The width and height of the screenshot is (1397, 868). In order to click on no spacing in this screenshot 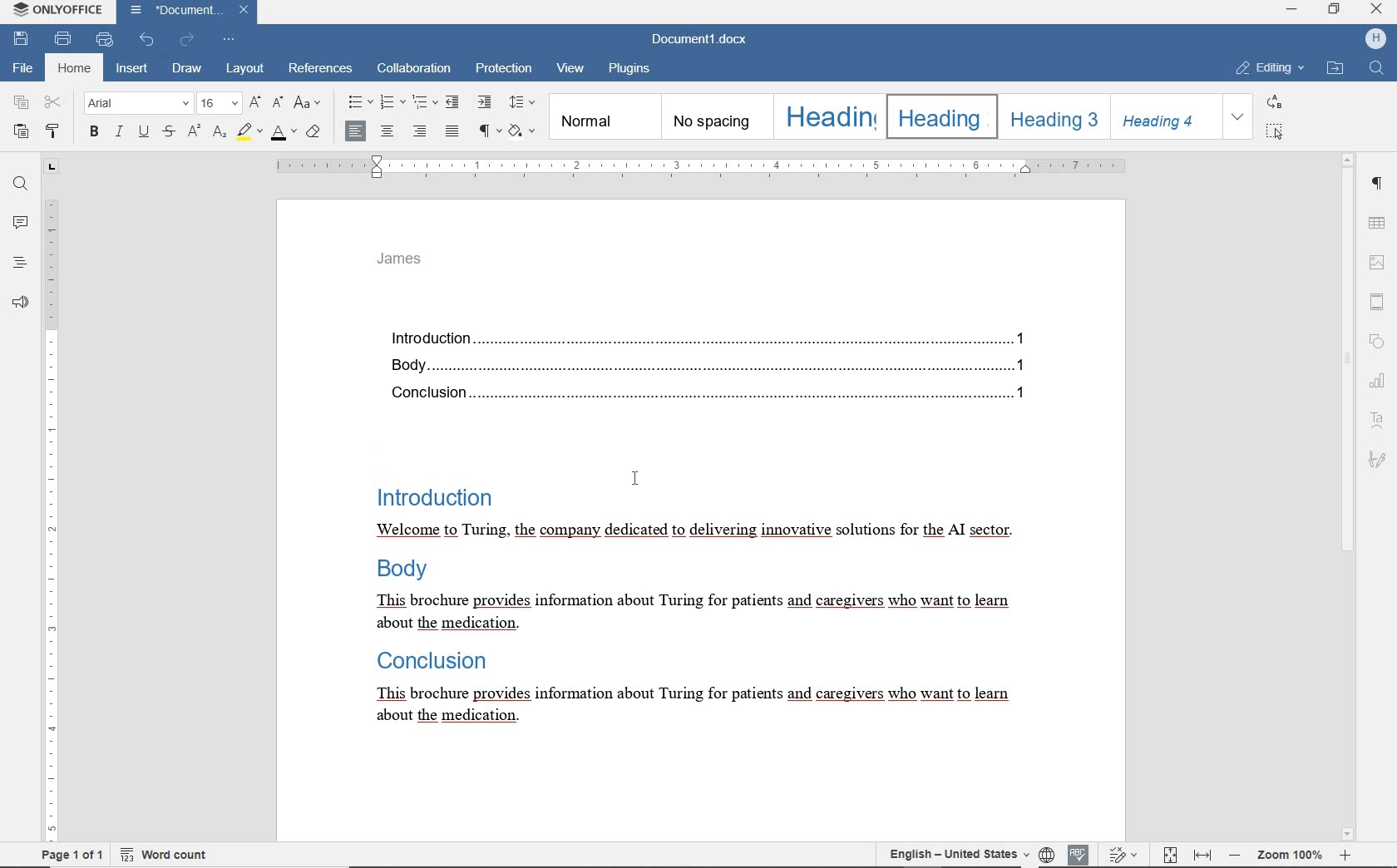, I will do `click(715, 117)`.